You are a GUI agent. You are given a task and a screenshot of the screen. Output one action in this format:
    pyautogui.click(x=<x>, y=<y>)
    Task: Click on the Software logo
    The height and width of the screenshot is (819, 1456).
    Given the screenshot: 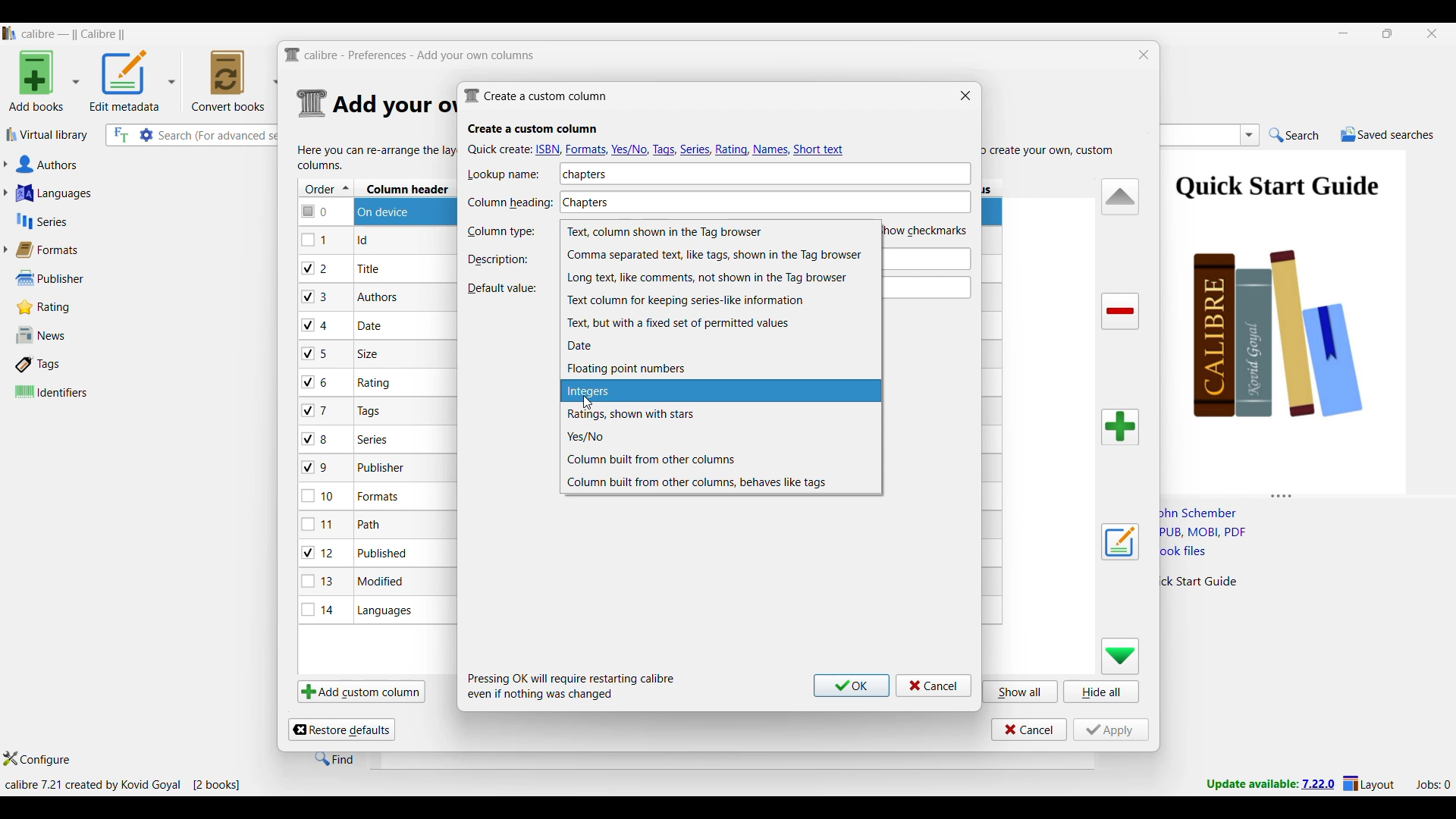 What is the action you would take?
    pyautogui.click(x=10, y=33)
    